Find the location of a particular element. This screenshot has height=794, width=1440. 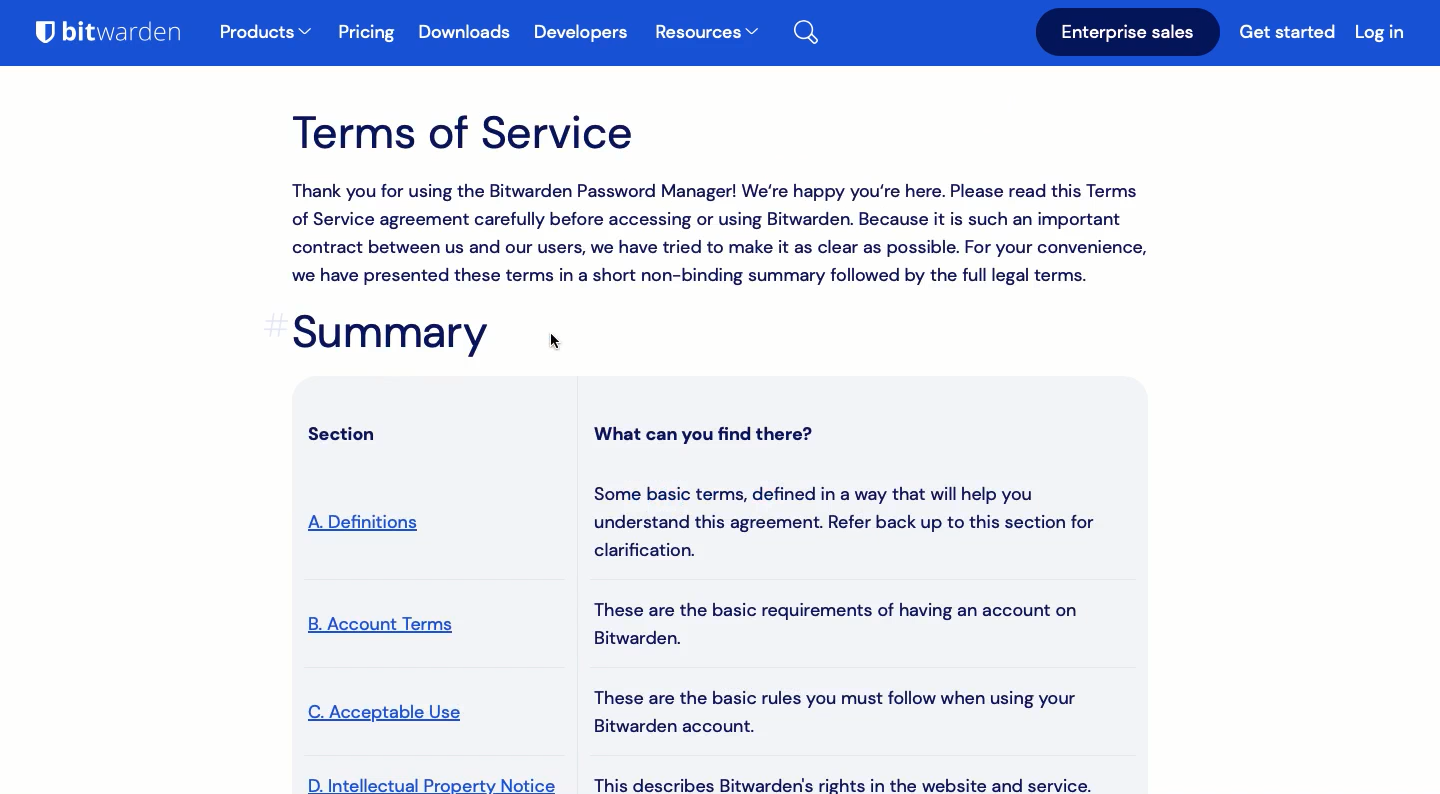

Resources is located at coordinates (706, 34).